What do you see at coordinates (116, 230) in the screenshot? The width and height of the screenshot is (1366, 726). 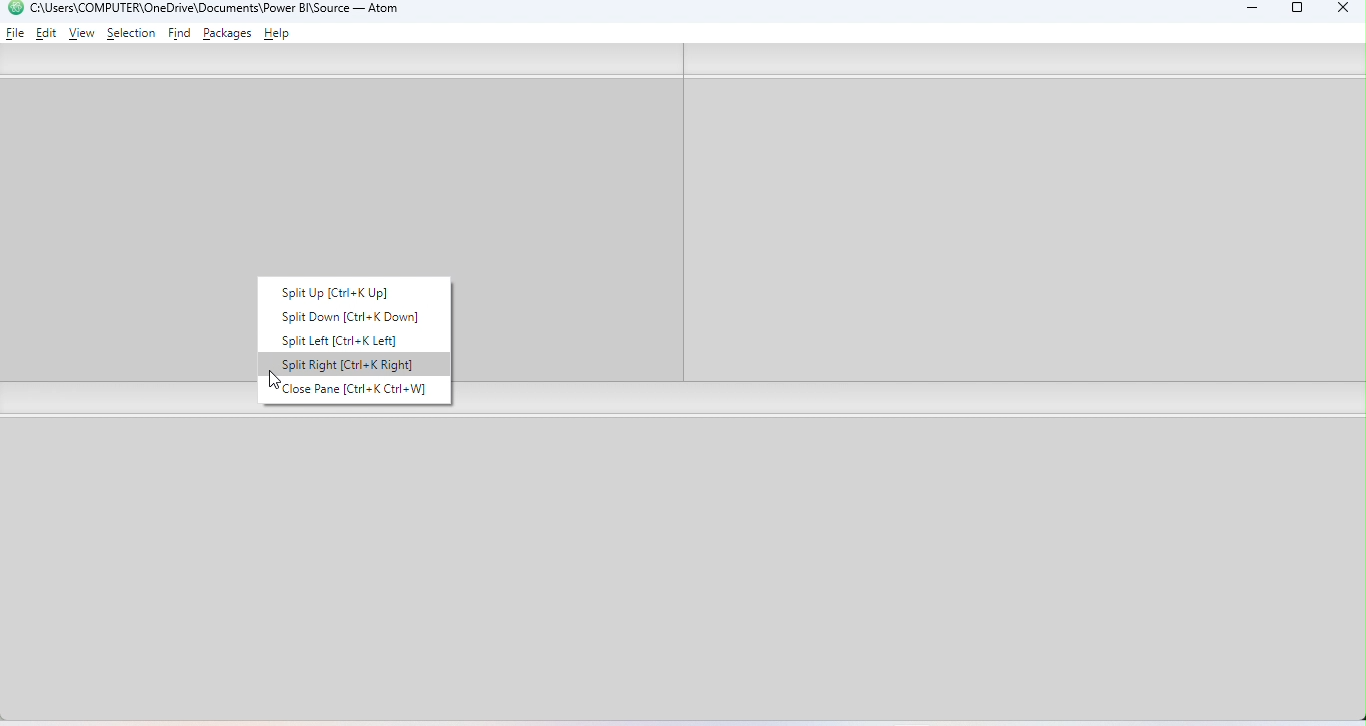 I see `Pane 1` at bounding box center [116, 230].